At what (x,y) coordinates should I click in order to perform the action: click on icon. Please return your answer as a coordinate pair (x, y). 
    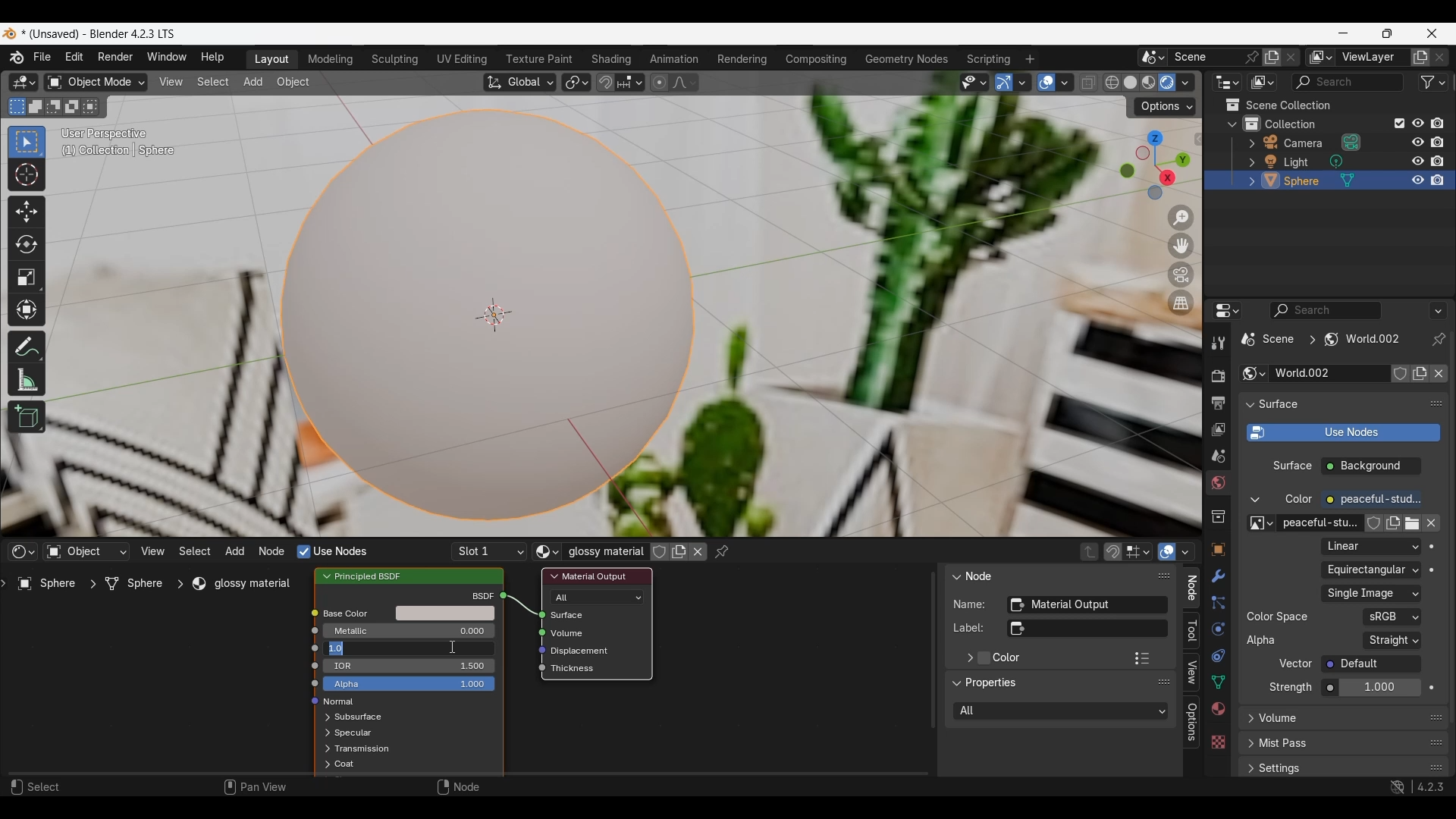
    Looking at the image, I should click on (313, 612).